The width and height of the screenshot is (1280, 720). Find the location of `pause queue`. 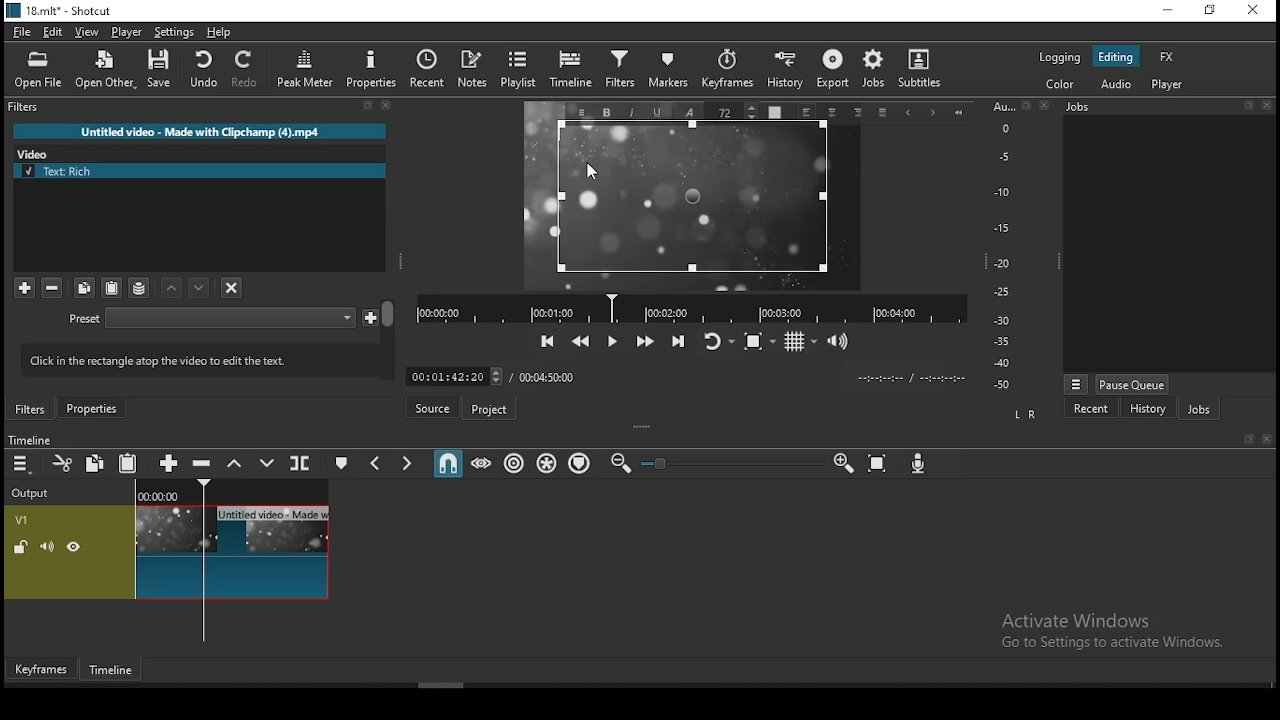

pause queue is located at coordinates (1133, 384).